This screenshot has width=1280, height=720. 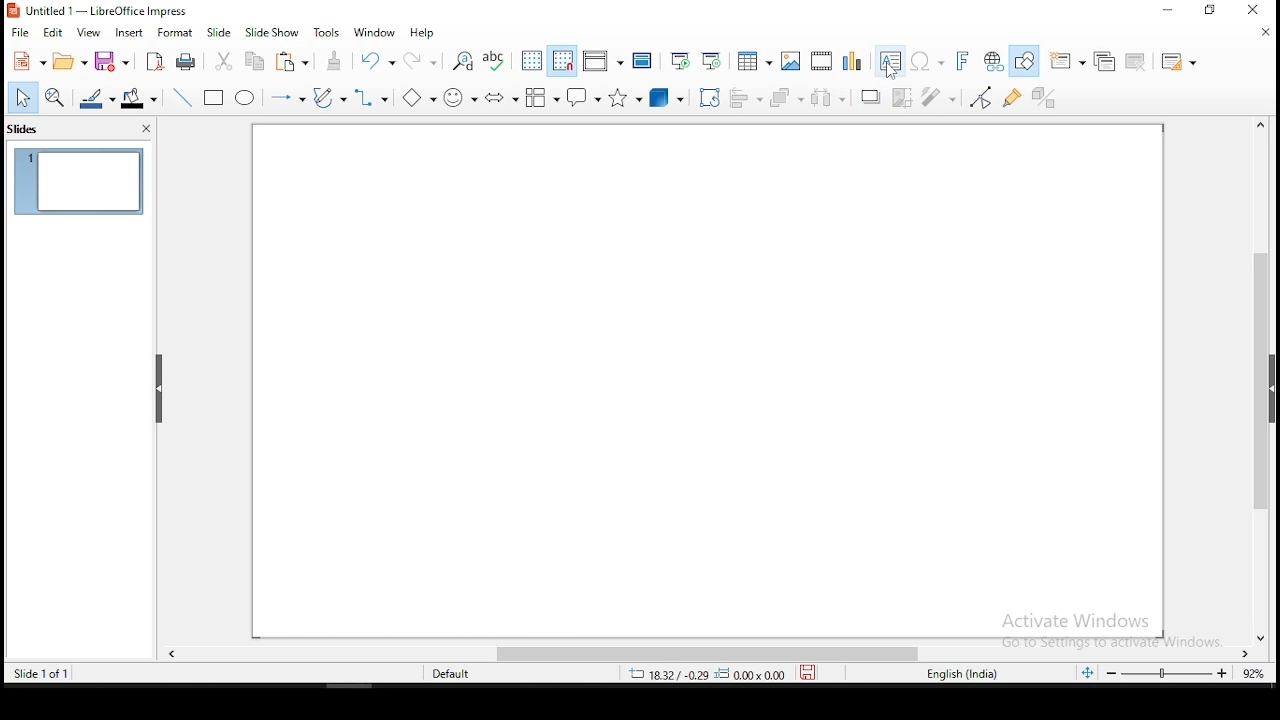 I want to click on slide show, so click(x=271, y=33).